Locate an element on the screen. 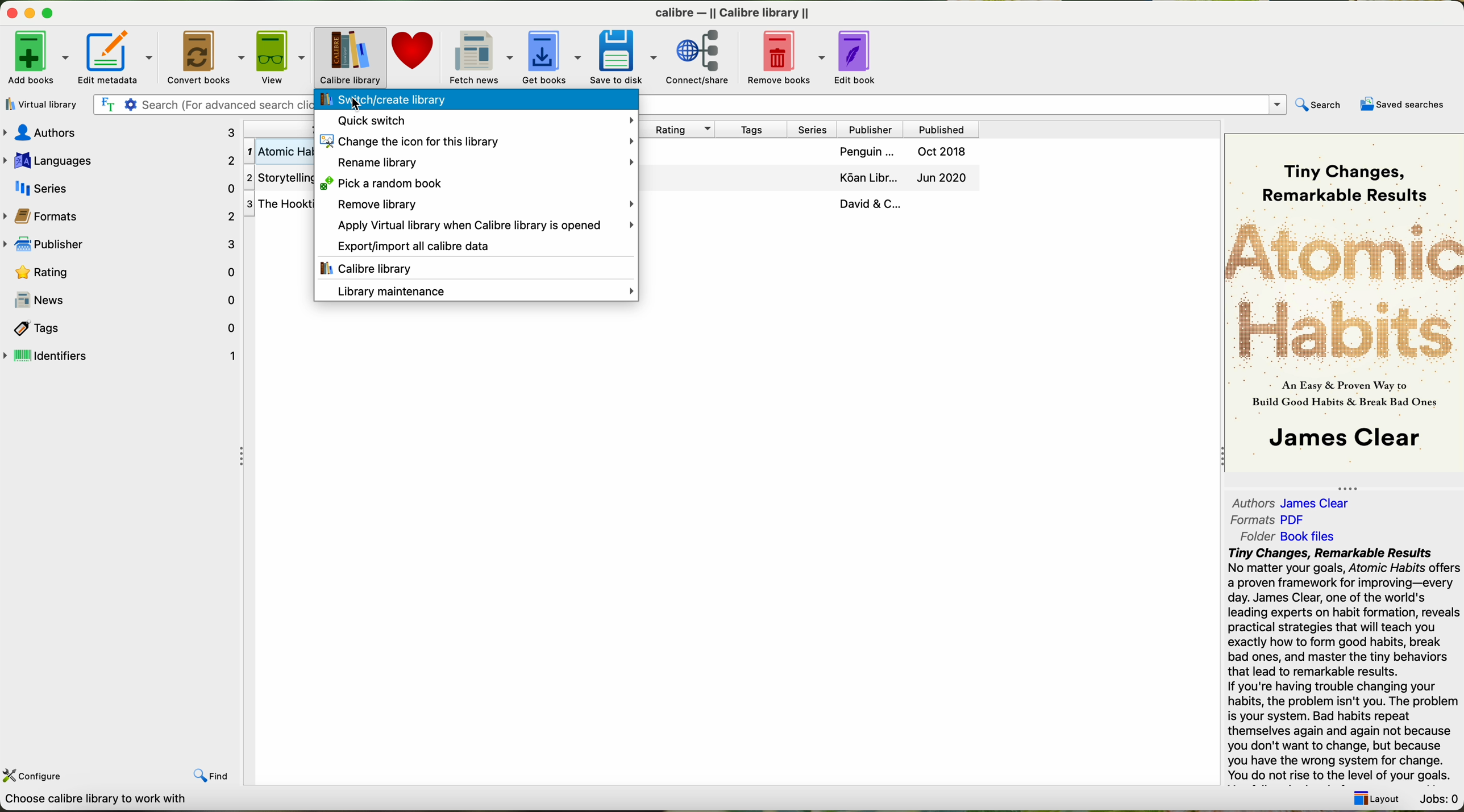 This screenshot has height=812, width=1464. | Fr ¢ Search (For advanced search click the gear icon to the left) is located at coordinates (198, 103).